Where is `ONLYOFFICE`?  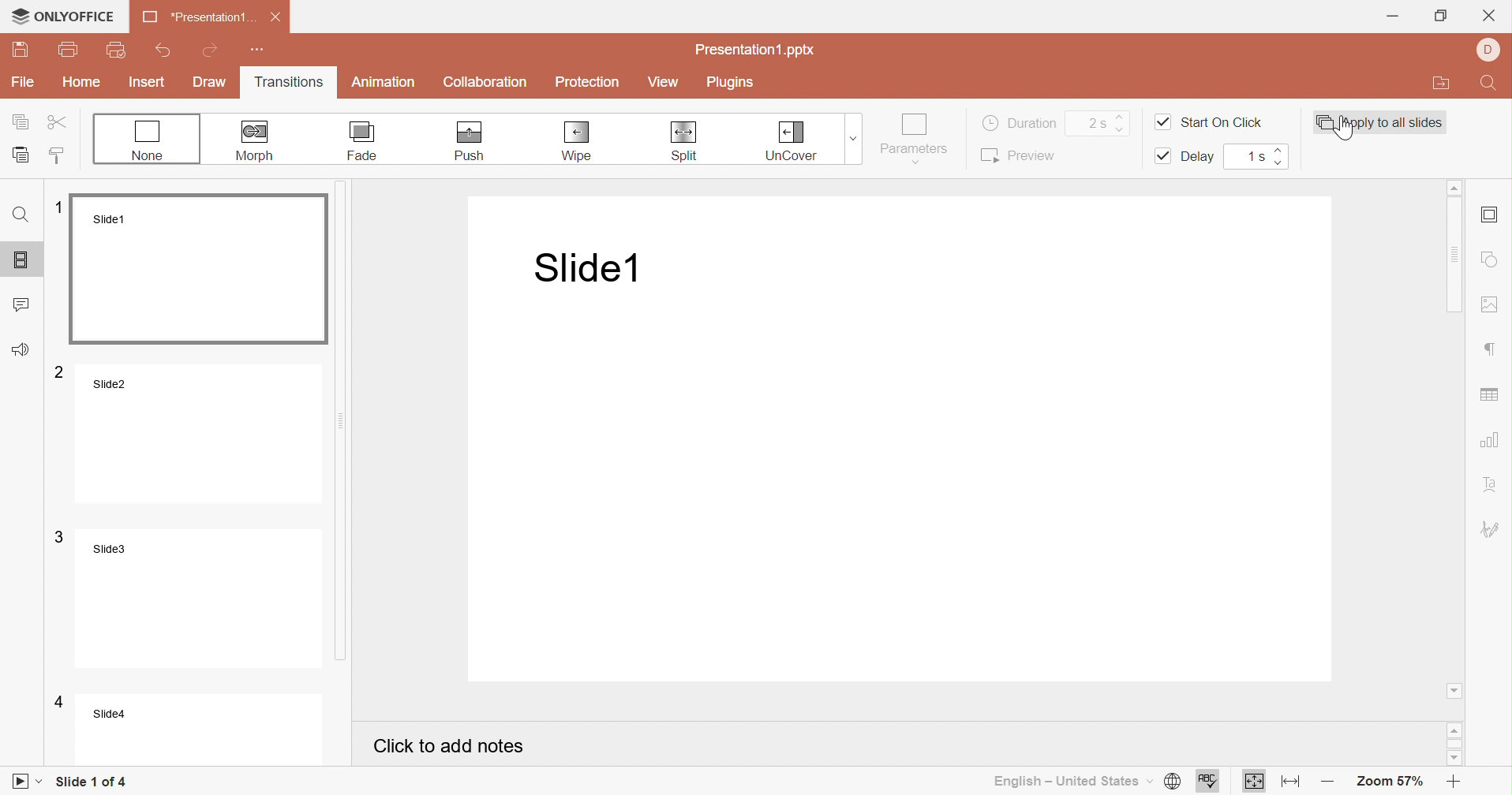 ONLYOFFICE is located at coordinates (62, 16).